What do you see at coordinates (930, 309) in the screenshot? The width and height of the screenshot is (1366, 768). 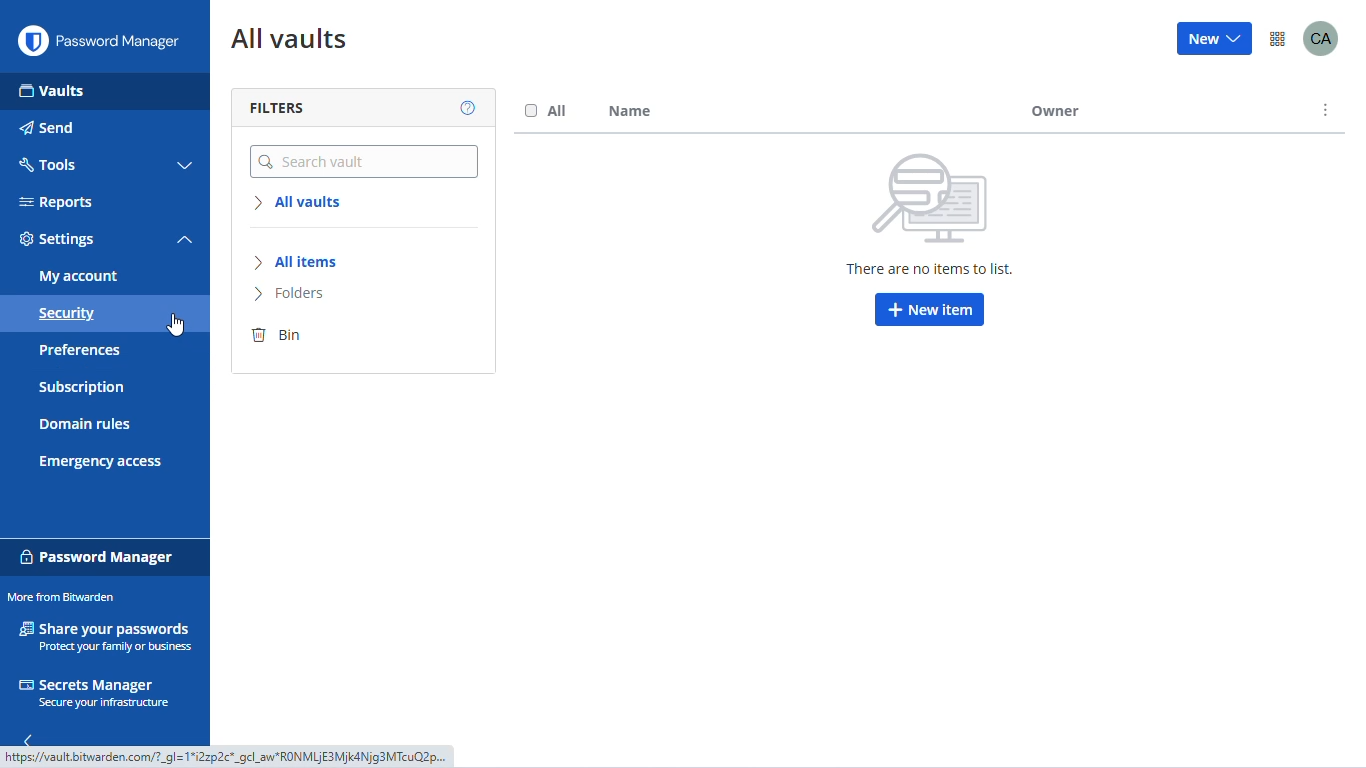 I see `new item` at bounding box center [930, 309].